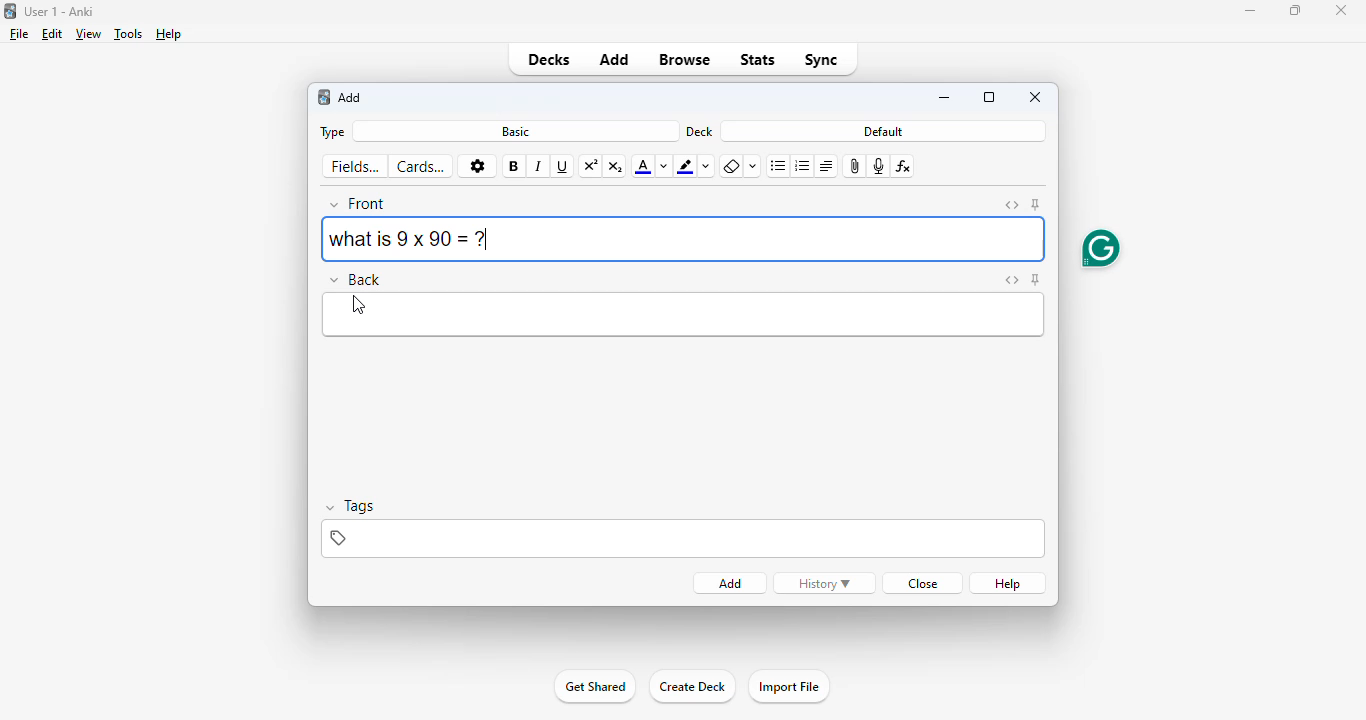  Describe the element at coordinates (9, 11) in the screenshot. I see `logo` at that location.